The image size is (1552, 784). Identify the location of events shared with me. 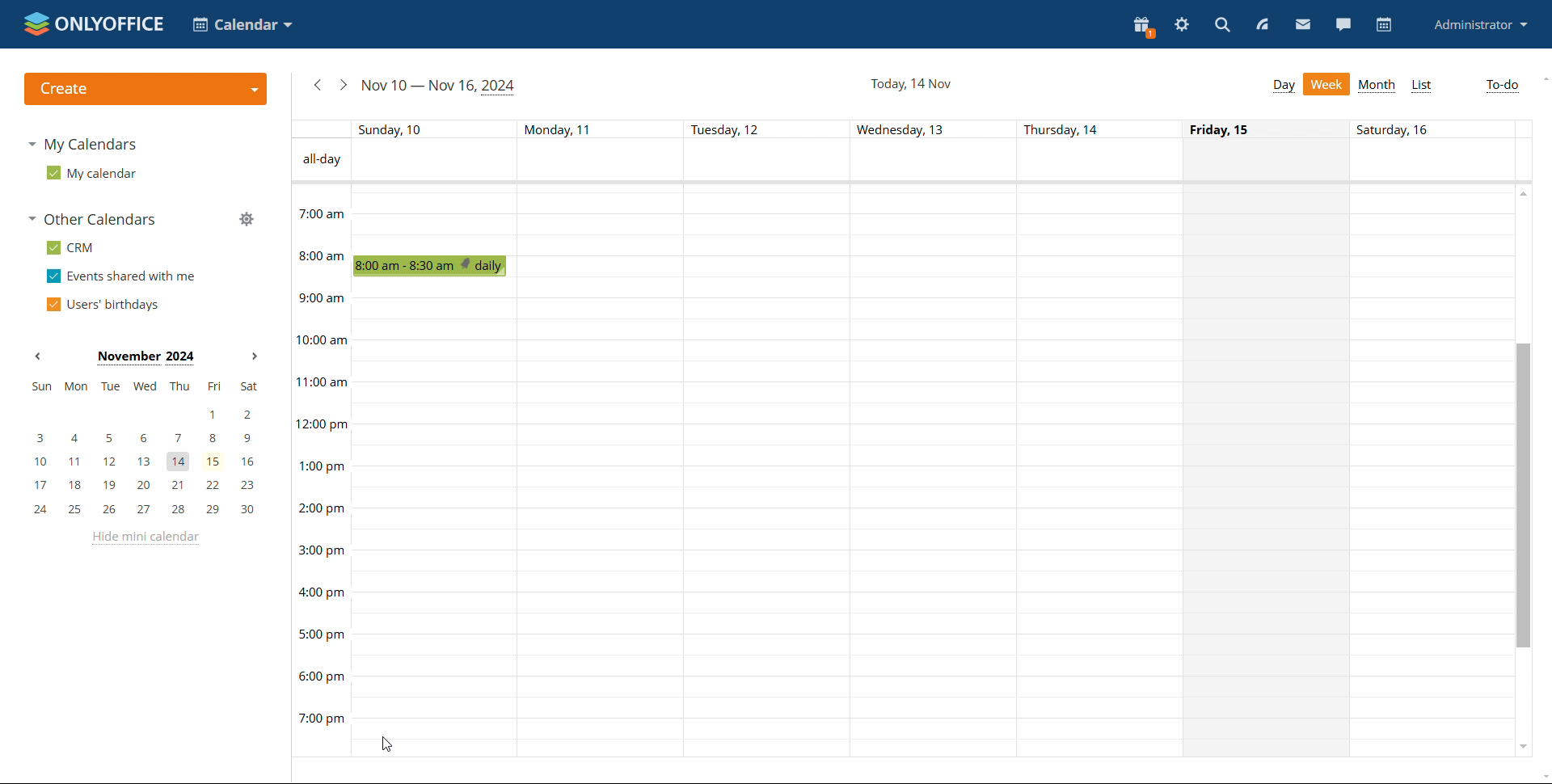
(121, 276).